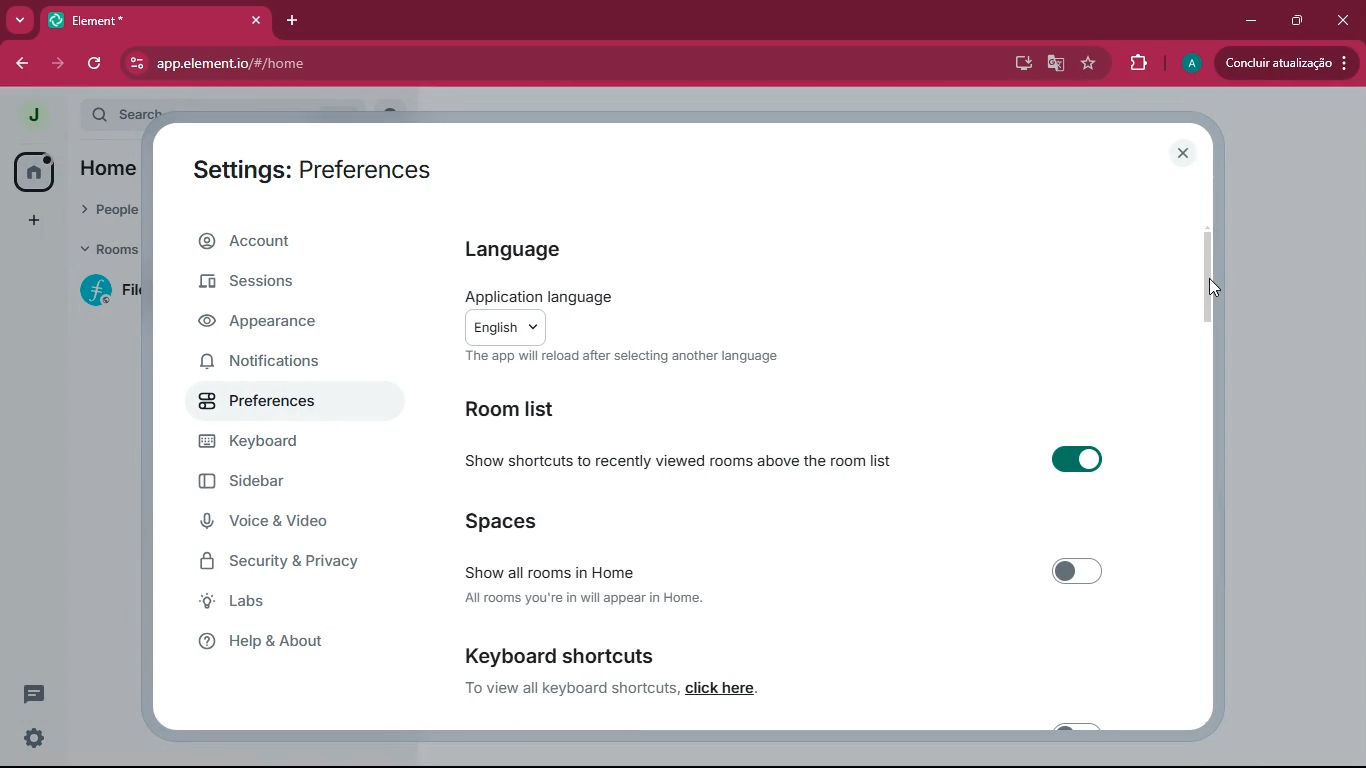 This screenshot has height=768, width=1366. Describe the element at coordinates (272, 283) in the screenshot. I see `sessions` at that location.